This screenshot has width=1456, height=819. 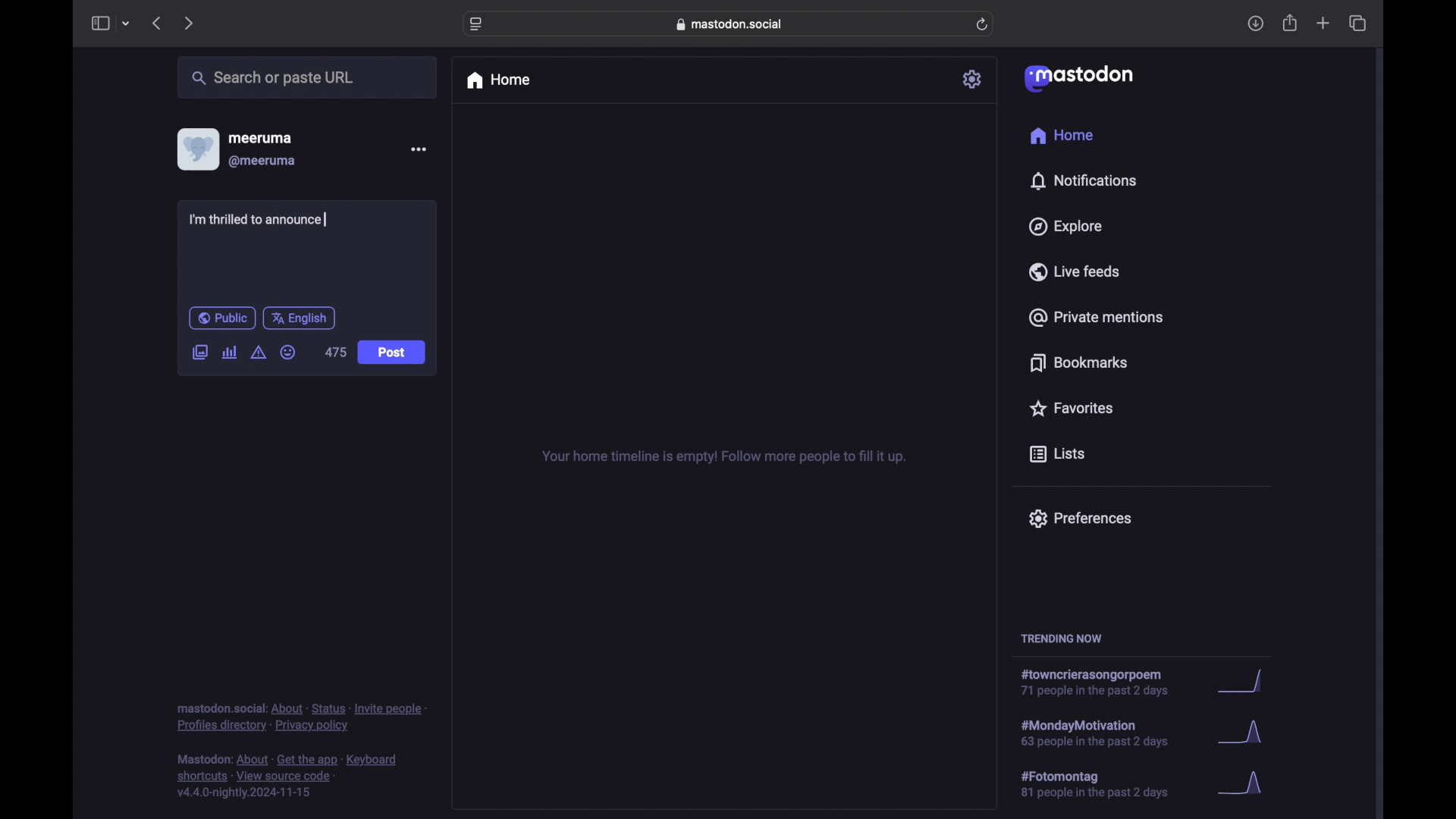 What do you see at coordinates (391, 353) in the screenshot?
I see `post` at bounding box center [391, 353].